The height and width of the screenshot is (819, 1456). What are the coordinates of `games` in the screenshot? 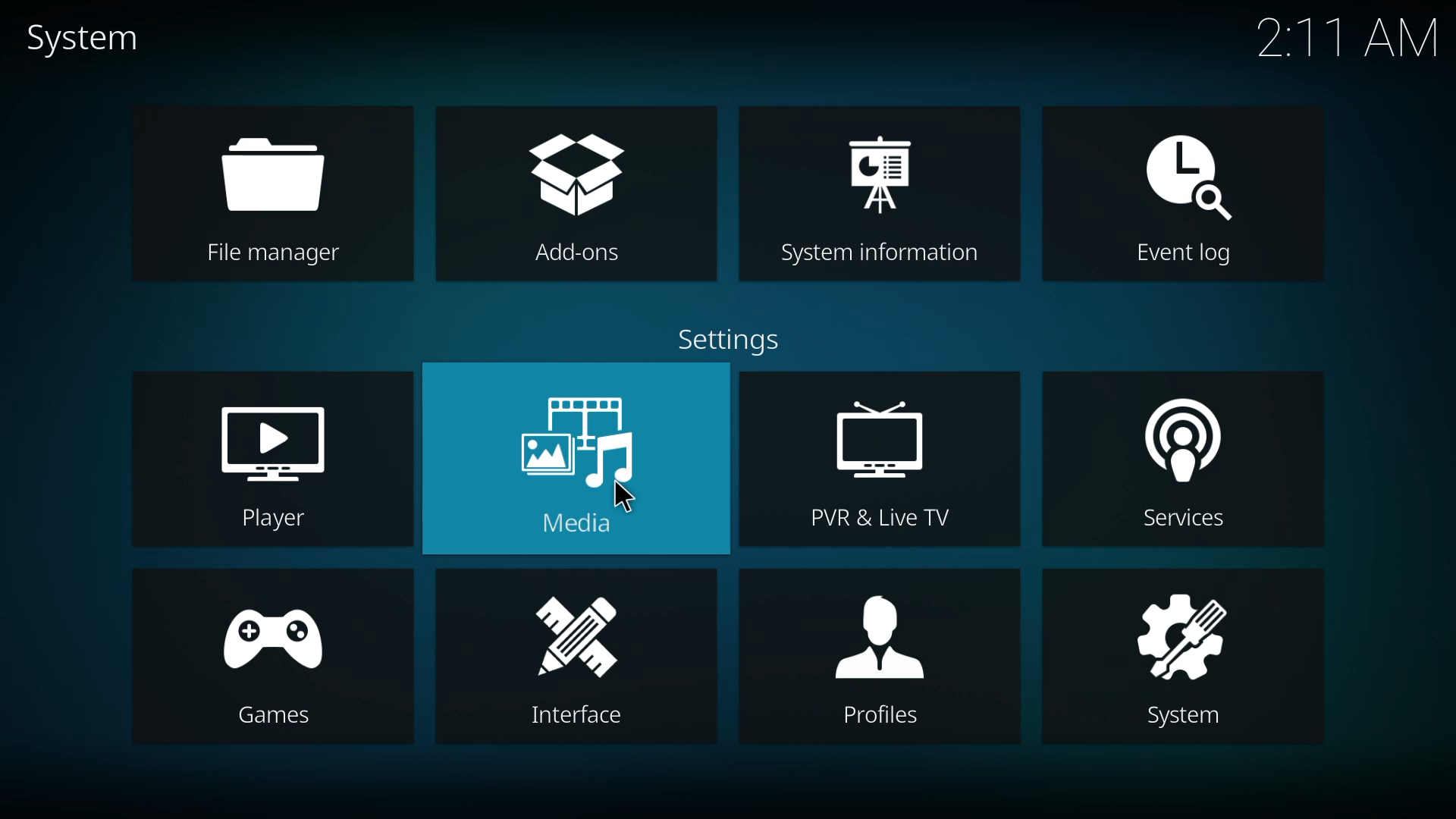 It's located at (268, 658).